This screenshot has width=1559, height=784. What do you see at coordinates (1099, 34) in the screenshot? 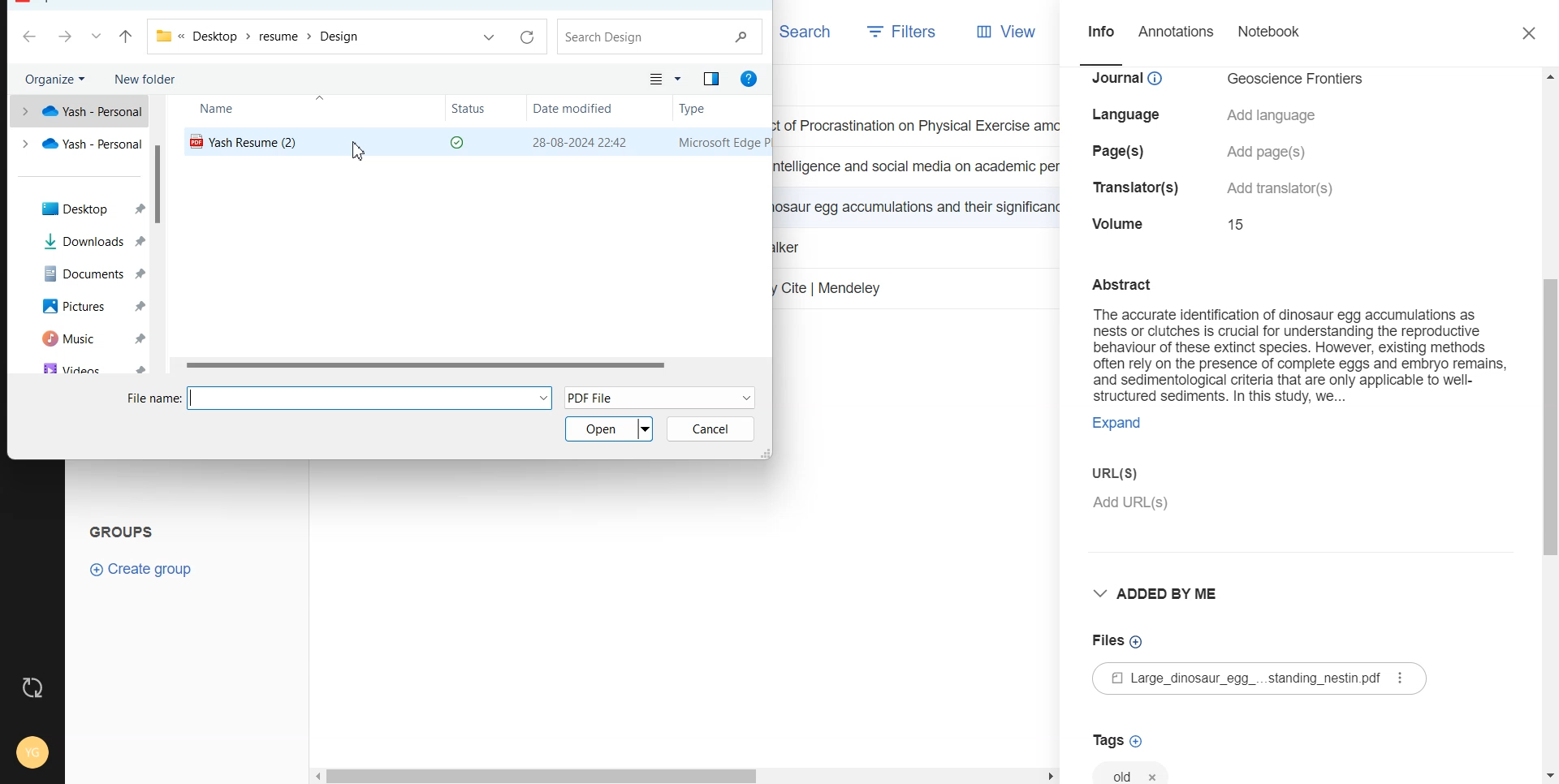
I see `Info` at bounding box center [1099, 34].